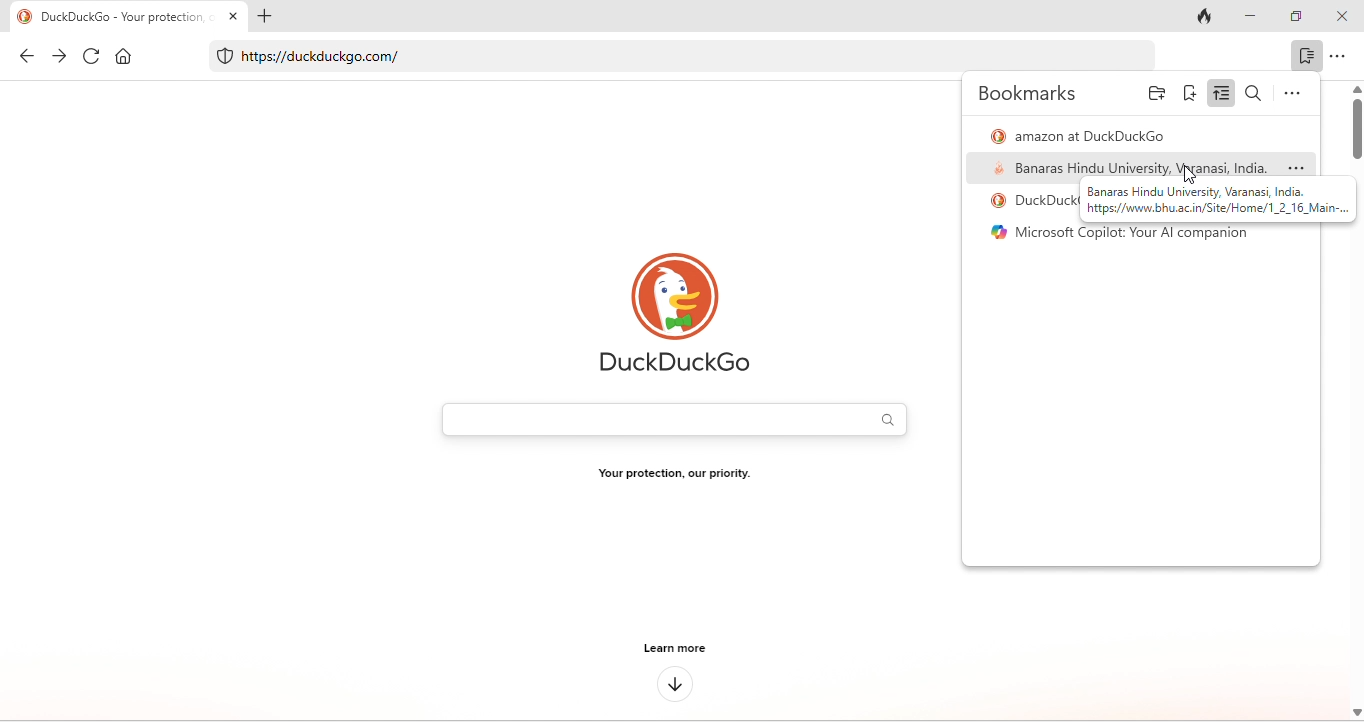  Describe the element at coordinates (1343, 57) in the screenshot. I see `option` at that location.